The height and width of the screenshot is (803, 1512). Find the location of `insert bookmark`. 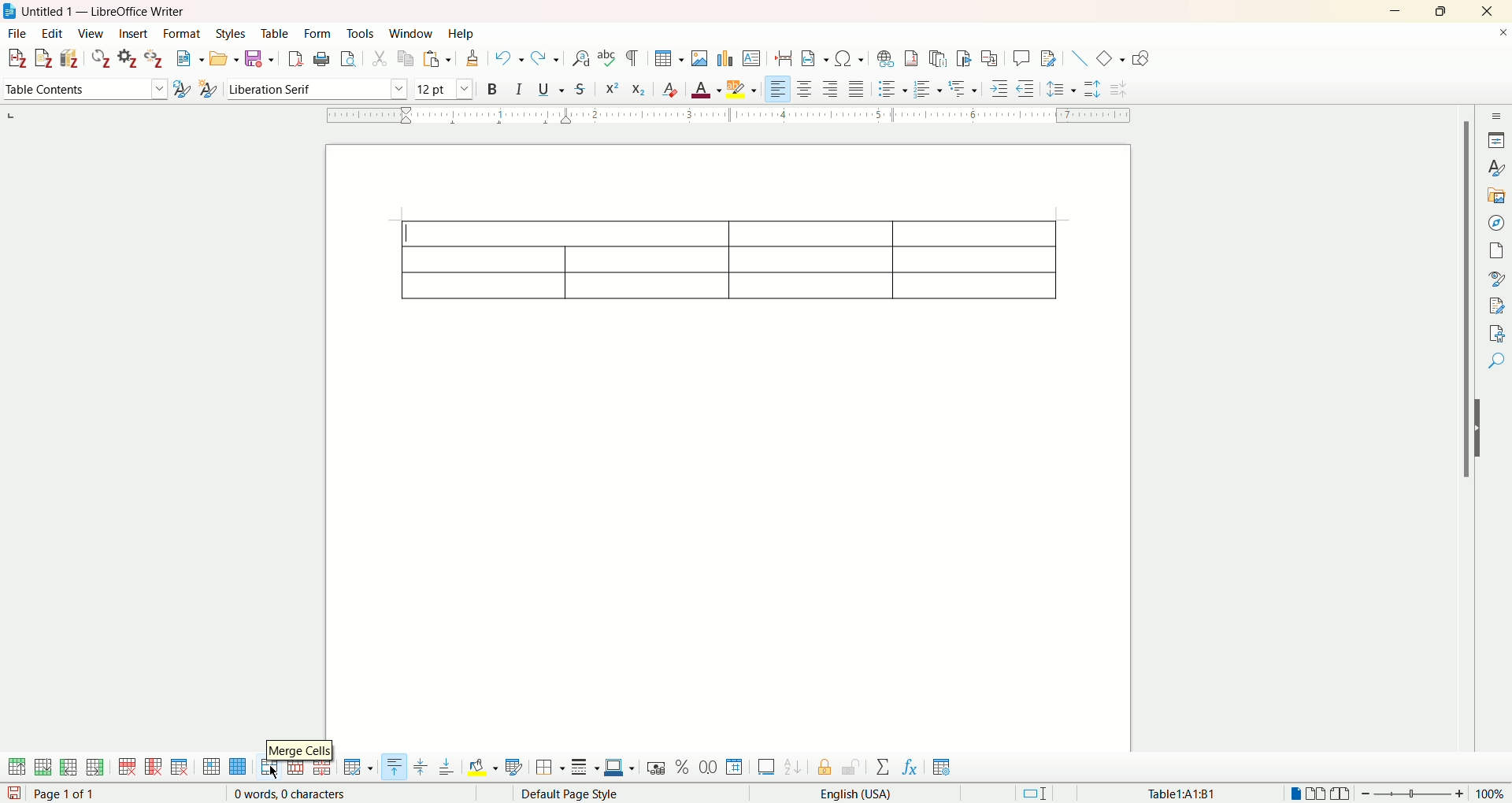

insert bookmark is located at coordinates (964, 57).